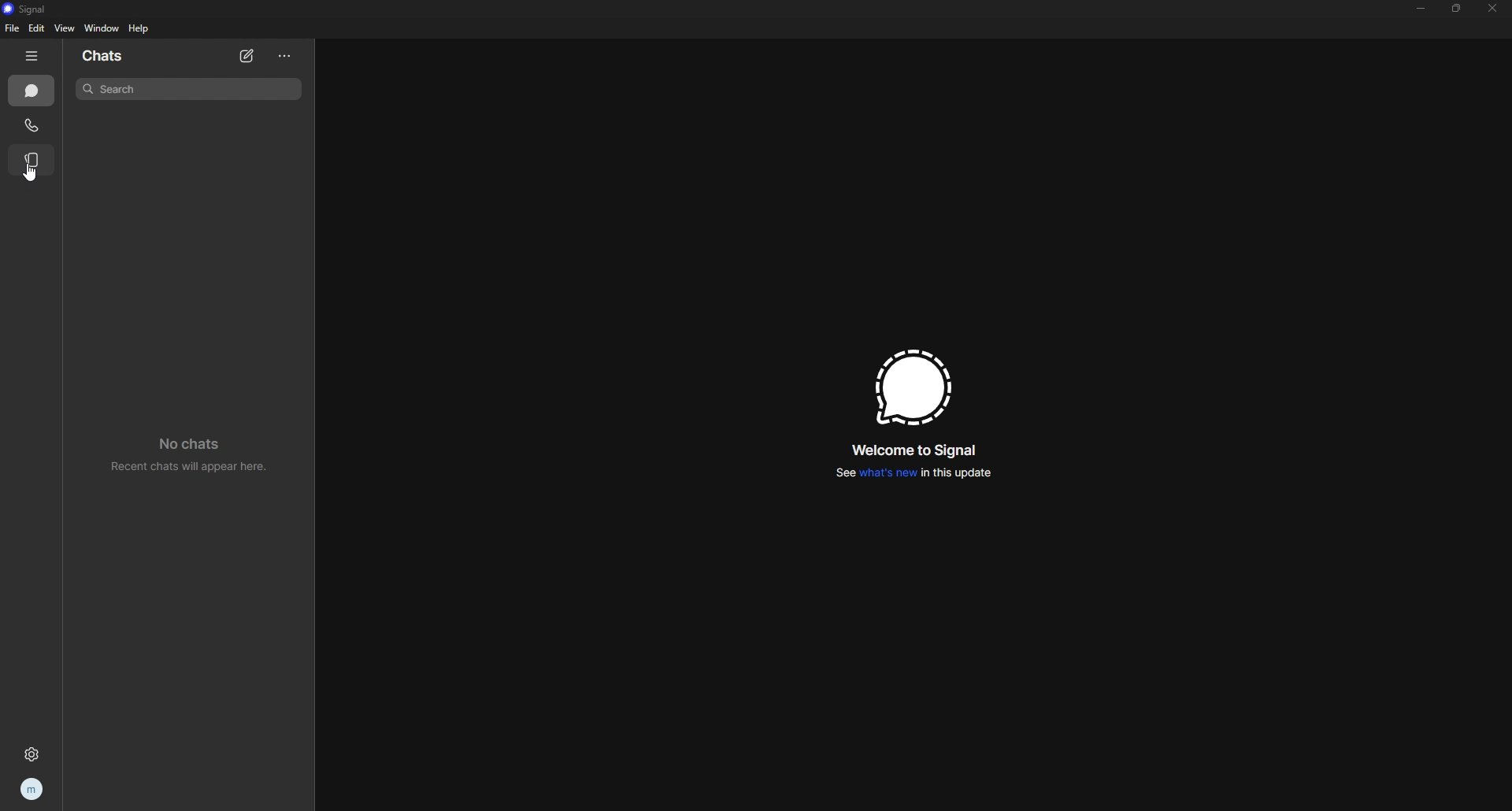  Describe the element at coordinates (14, 28) in the screenshot. I see `file` at that location.